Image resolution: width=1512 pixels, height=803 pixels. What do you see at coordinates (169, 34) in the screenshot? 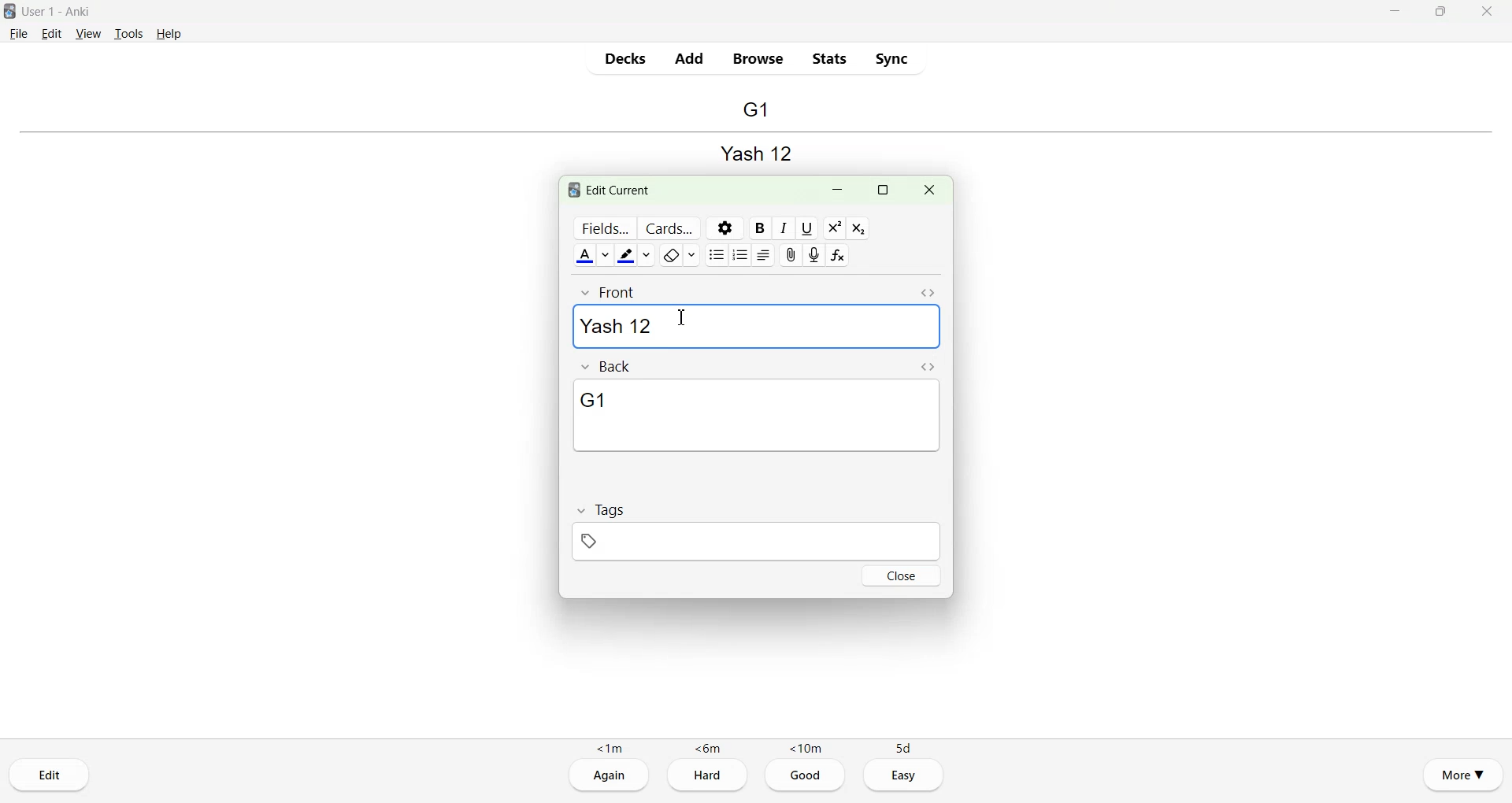
I see `Help` at bounding box center [169, 34].